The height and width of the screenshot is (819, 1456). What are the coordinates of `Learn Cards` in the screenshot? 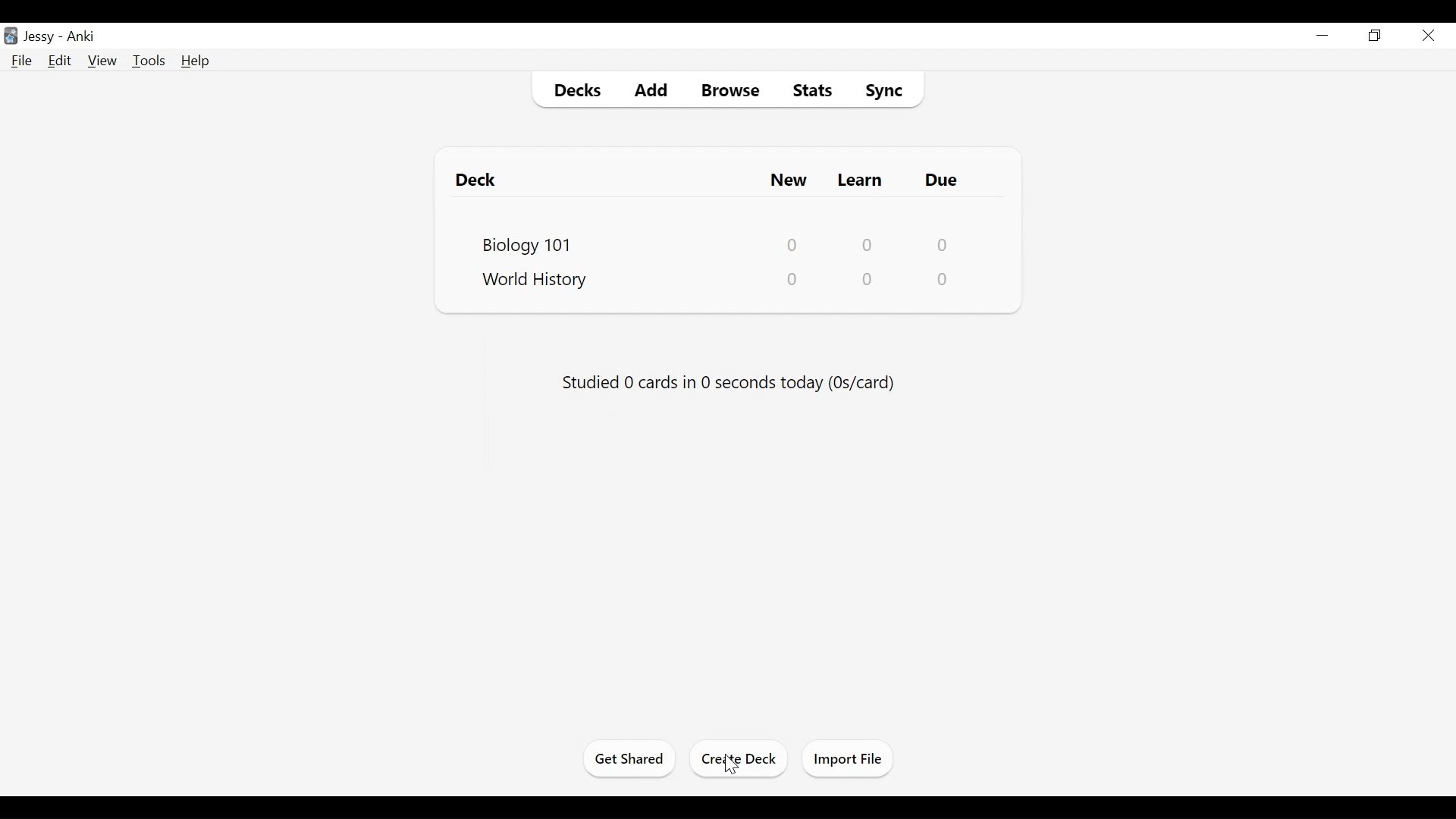 It's located at (862, 179).